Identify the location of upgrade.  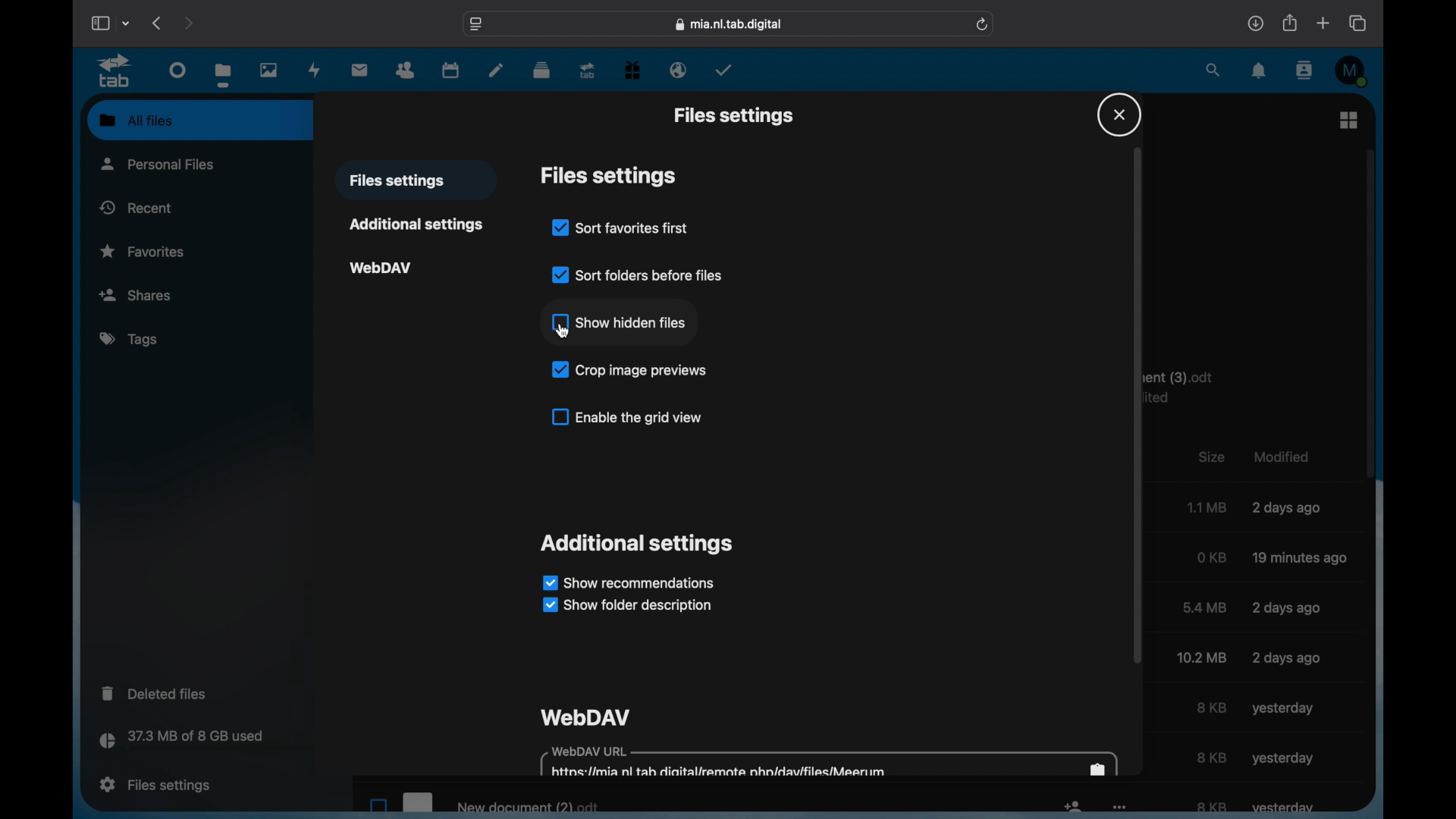
(588, 71).